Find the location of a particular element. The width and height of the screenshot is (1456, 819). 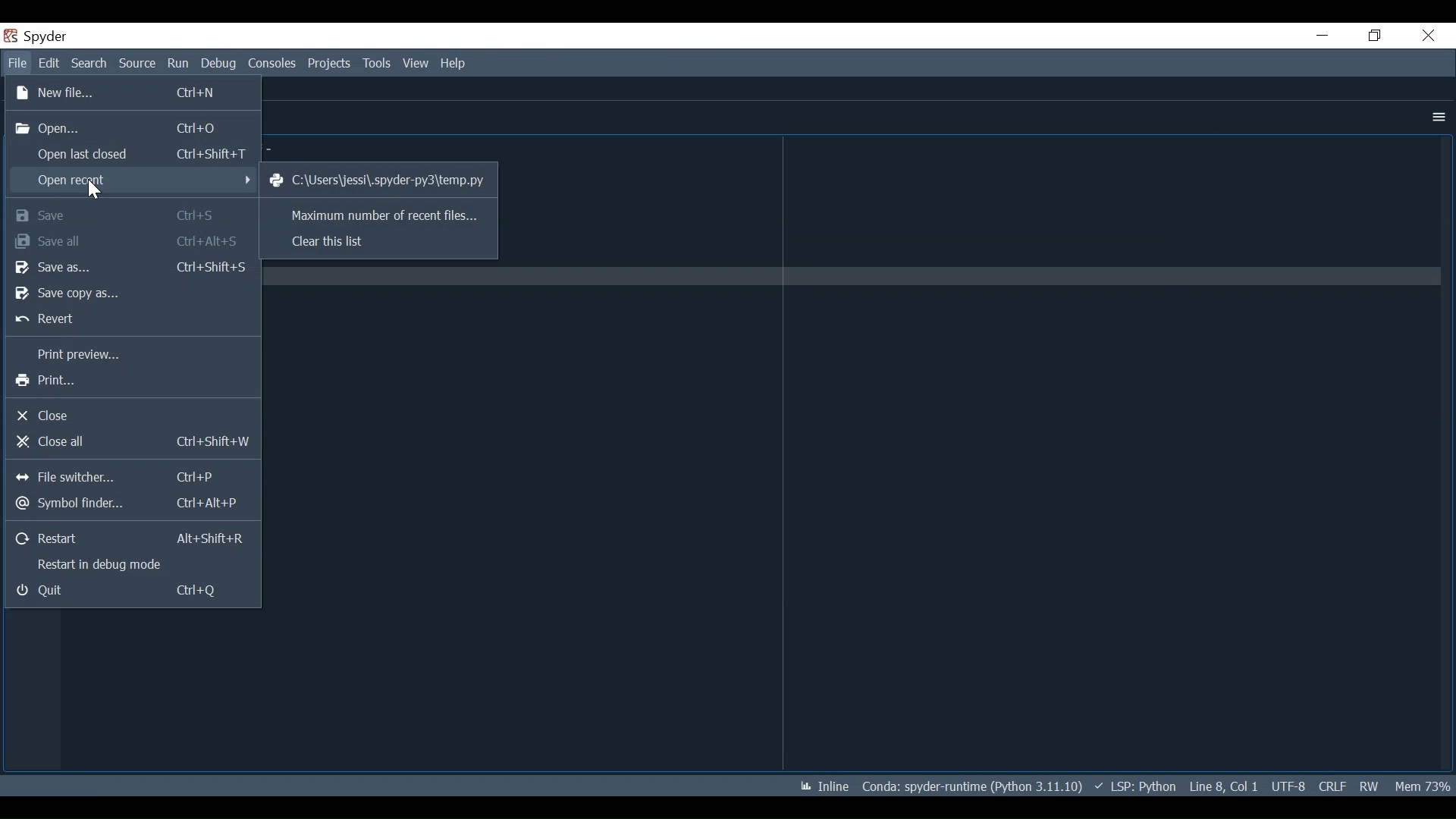

LSP: Python is located at coordinates (1136, 787).